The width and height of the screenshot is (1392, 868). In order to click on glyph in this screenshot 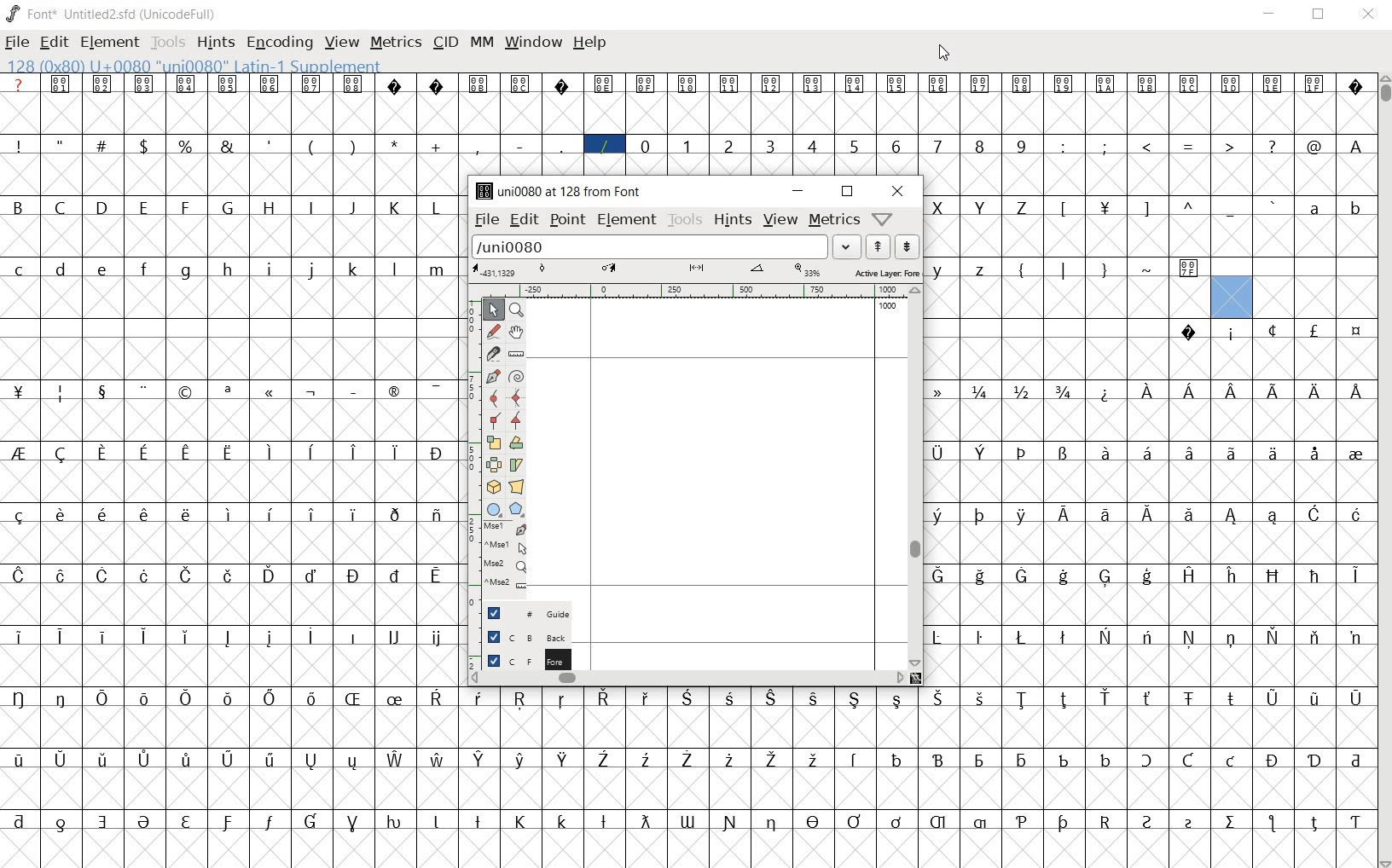, I will do `click(437, 86)`.